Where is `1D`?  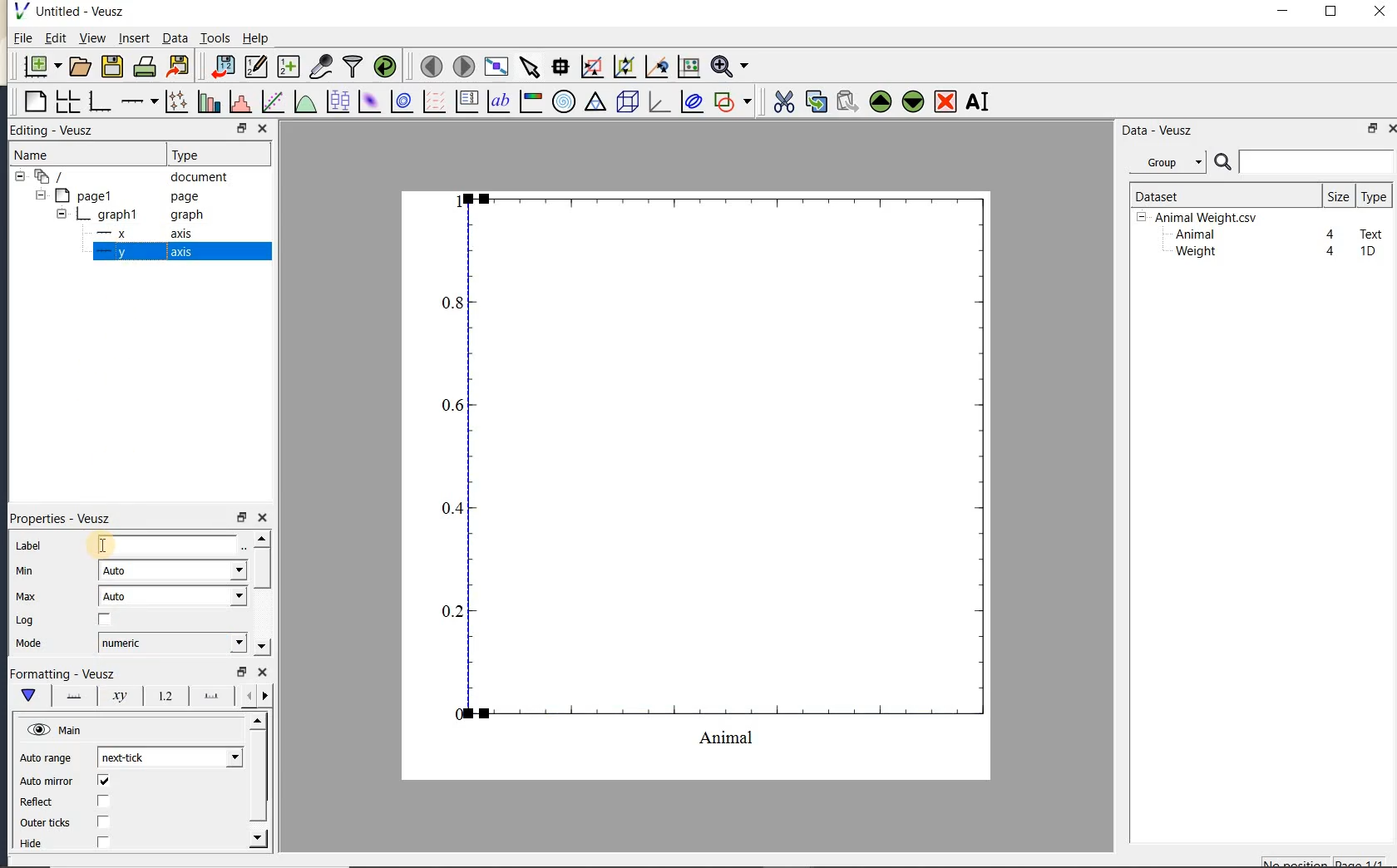
1D is located at coordinates (1367, 251).